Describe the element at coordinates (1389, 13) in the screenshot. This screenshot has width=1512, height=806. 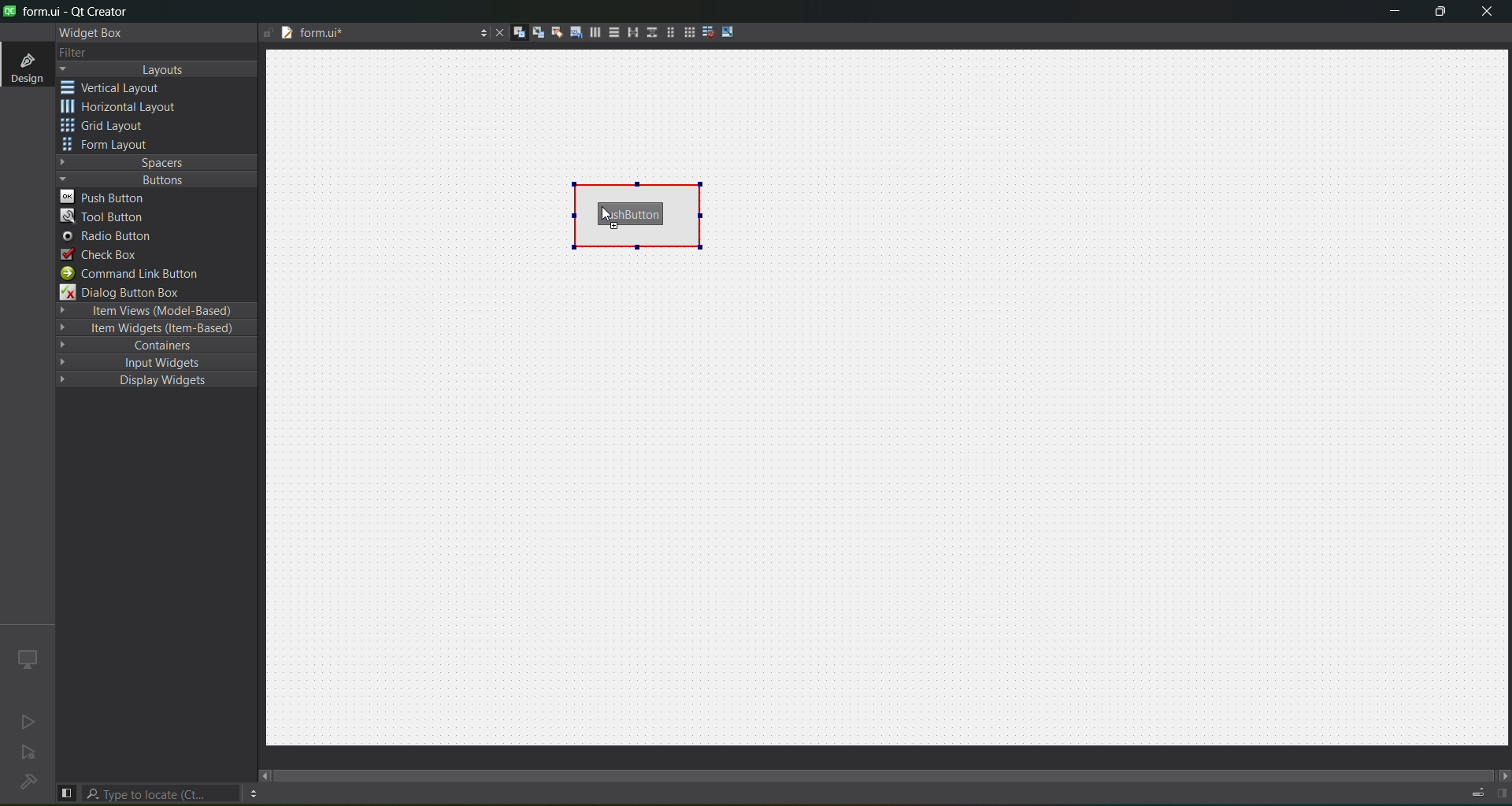
I see `minimize` at that location.